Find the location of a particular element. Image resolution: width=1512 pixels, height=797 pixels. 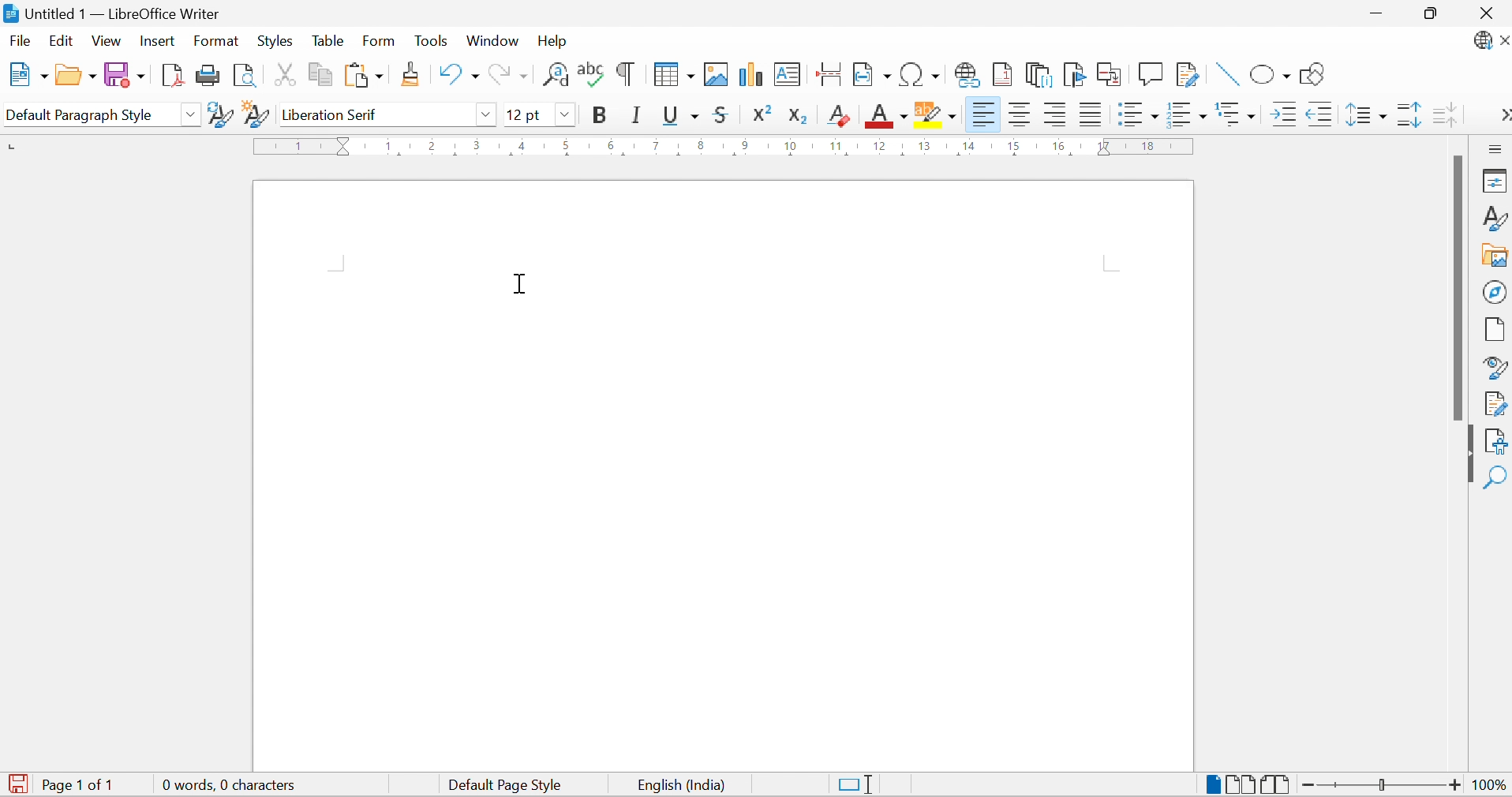

Sidebar Settings is located at coordinates (1495, 149).